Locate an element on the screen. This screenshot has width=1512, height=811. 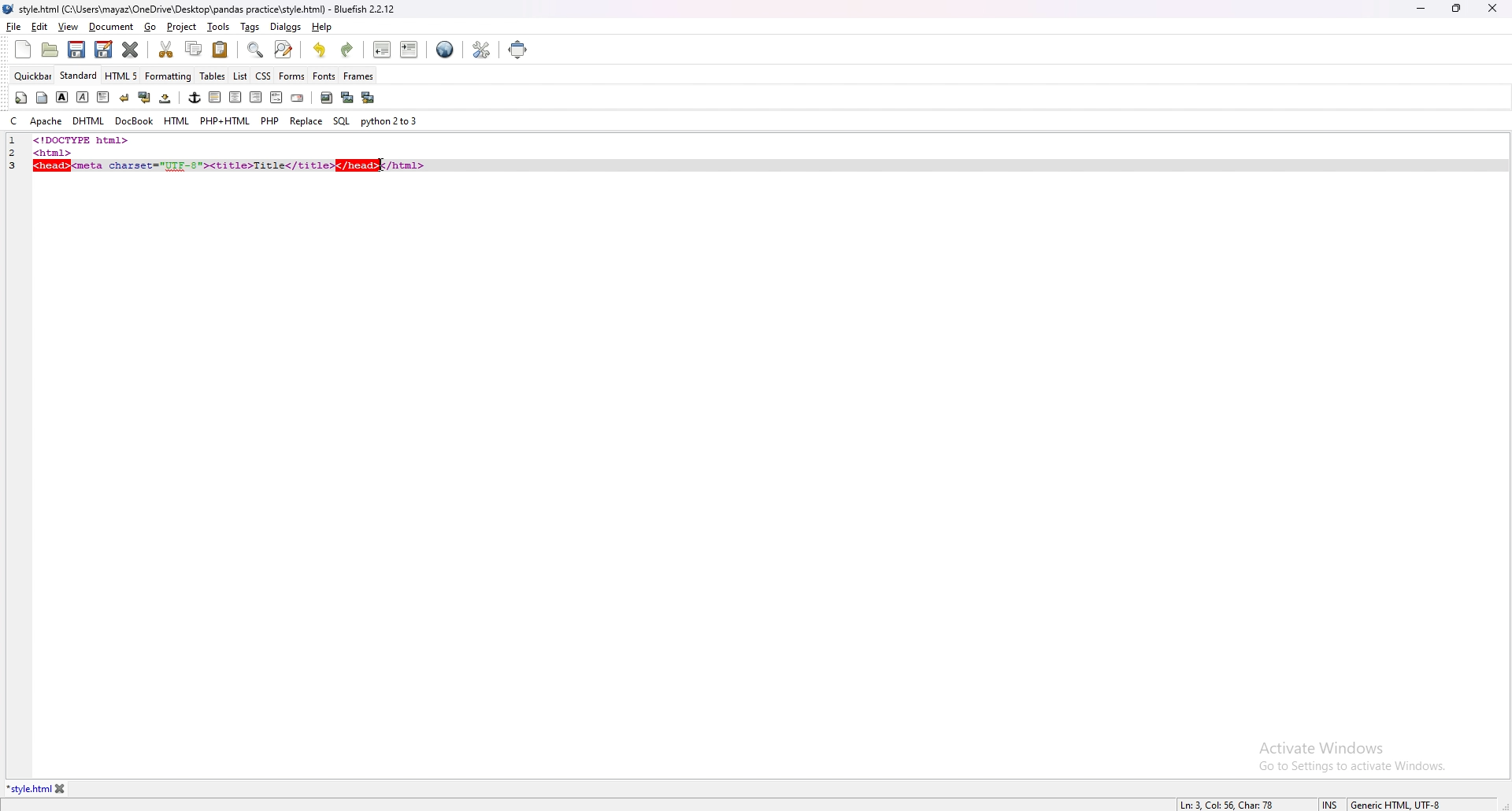
file is located at coordinates (14, 26).